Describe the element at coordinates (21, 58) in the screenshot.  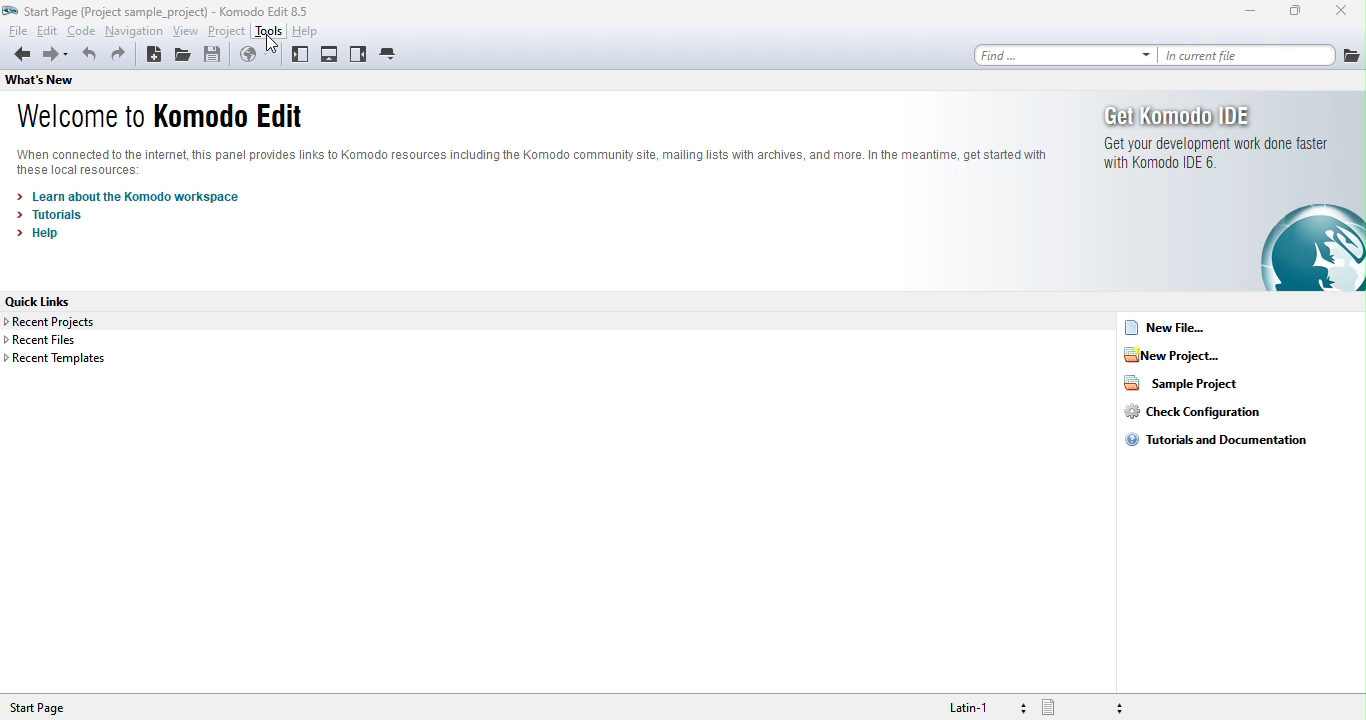
I see `back` at that location.